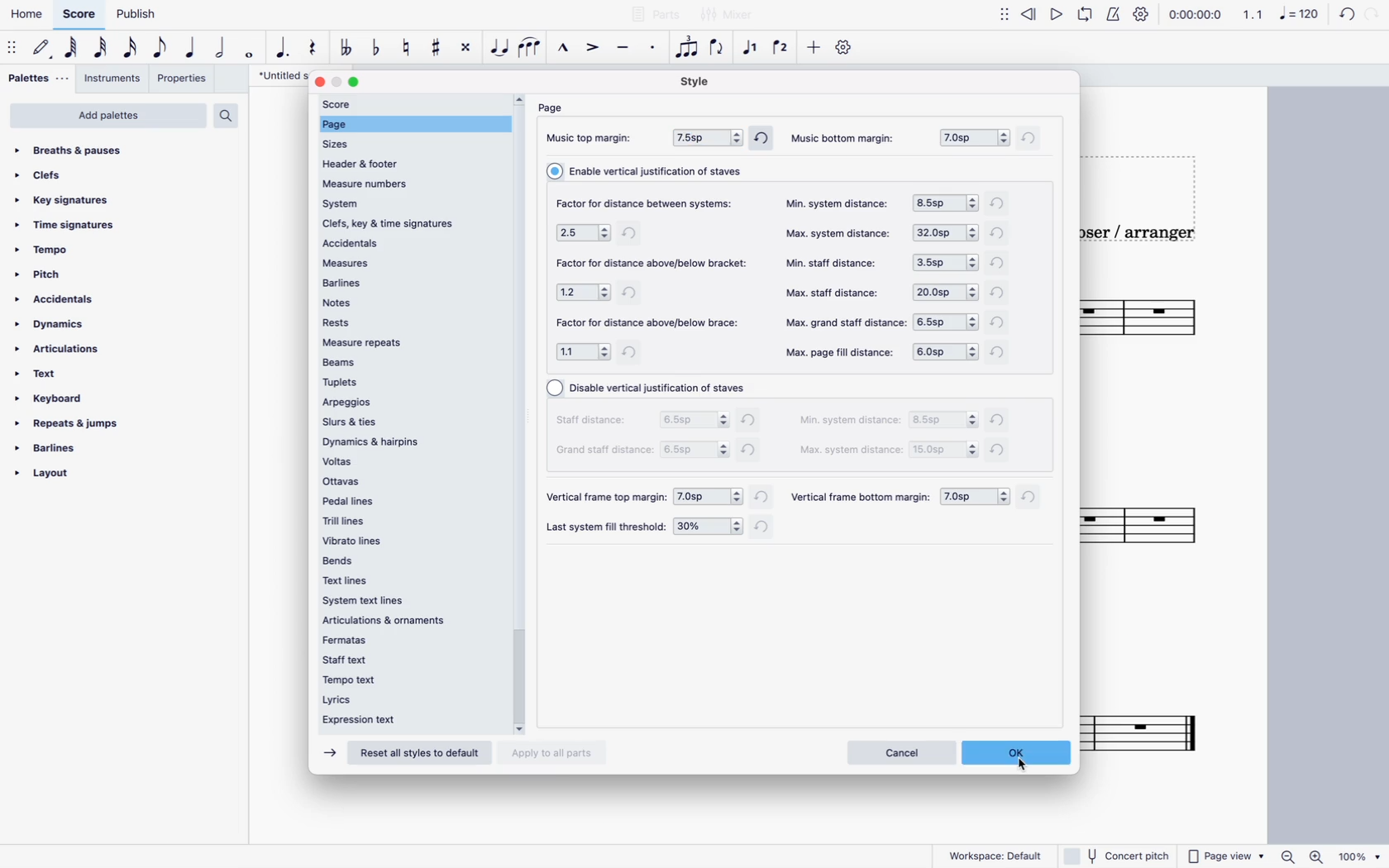 The width and height of the screenshot is (1389, 868). I want to click on cursor, so click(1022, 765).